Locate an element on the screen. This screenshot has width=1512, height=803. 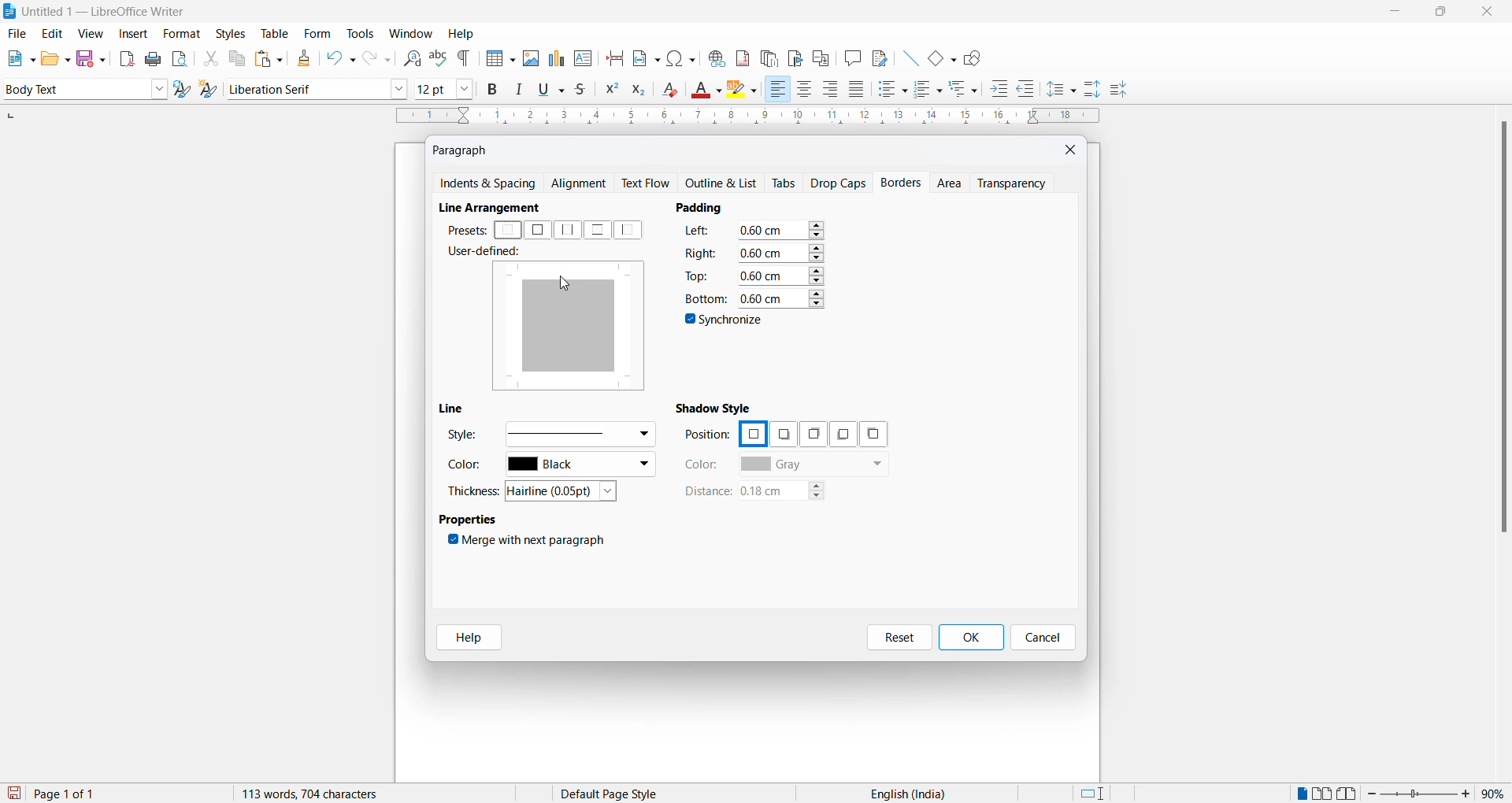
text align center is located at coordinates (805, 90).